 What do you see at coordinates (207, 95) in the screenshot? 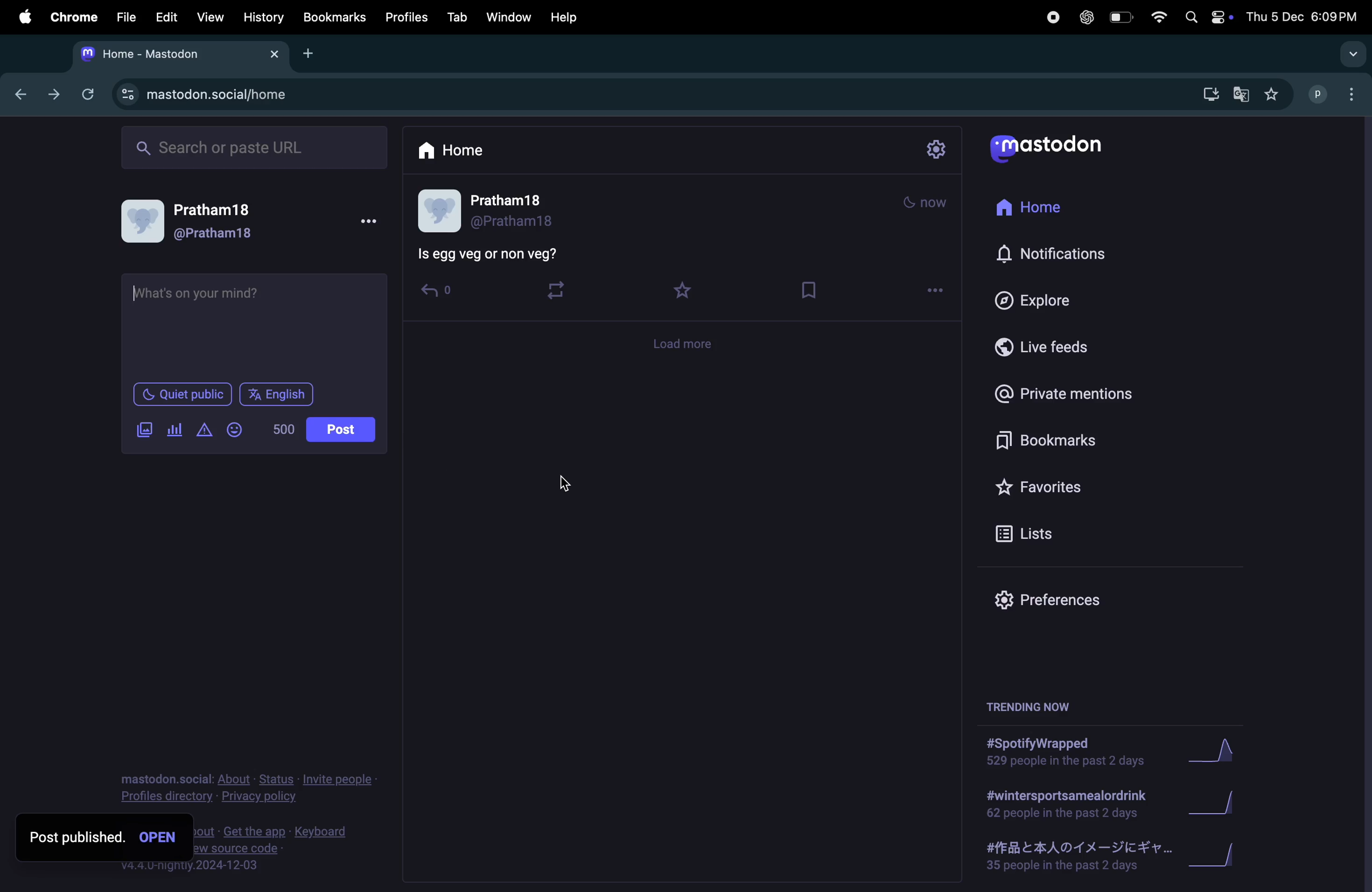
I see `mastodonsocial url` at bounding box center [207, 95].